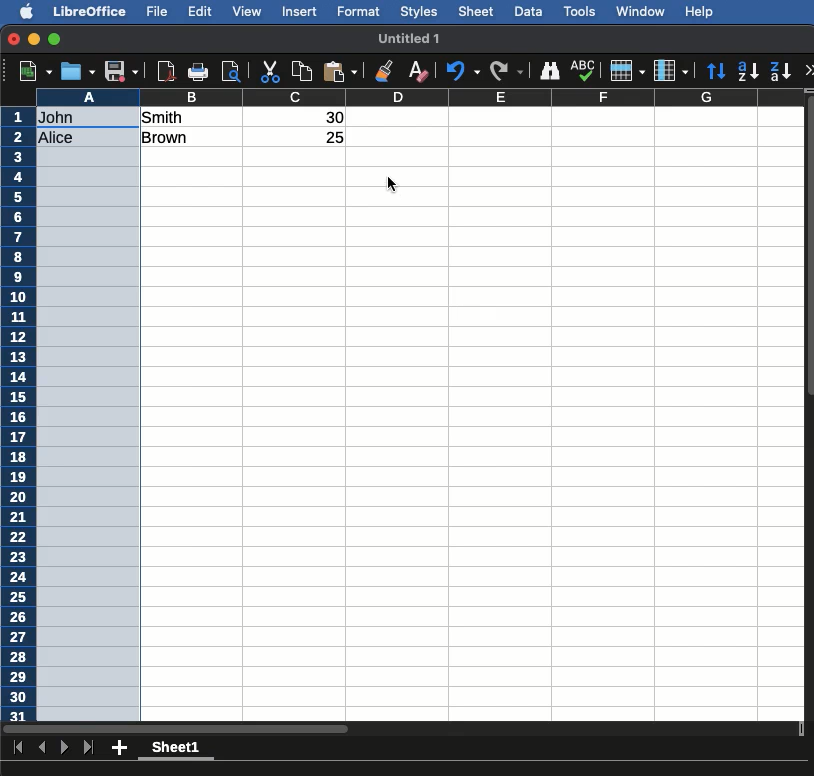  What do you see at coordinates (246, 12) in the screenshot?
I see `View` at bounding box center [246, 12].